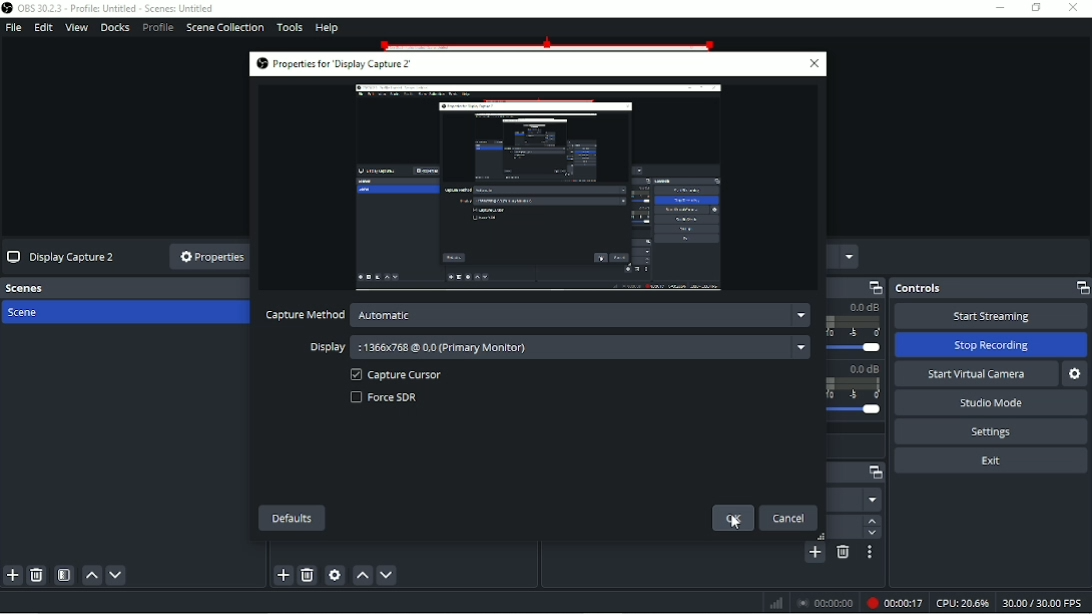 Image resolution: width=1092 pixels, height=614 pixels. Describe the element at coordinates (842, 552) in the screenshot. I see `Remove configurable transition` at that location.